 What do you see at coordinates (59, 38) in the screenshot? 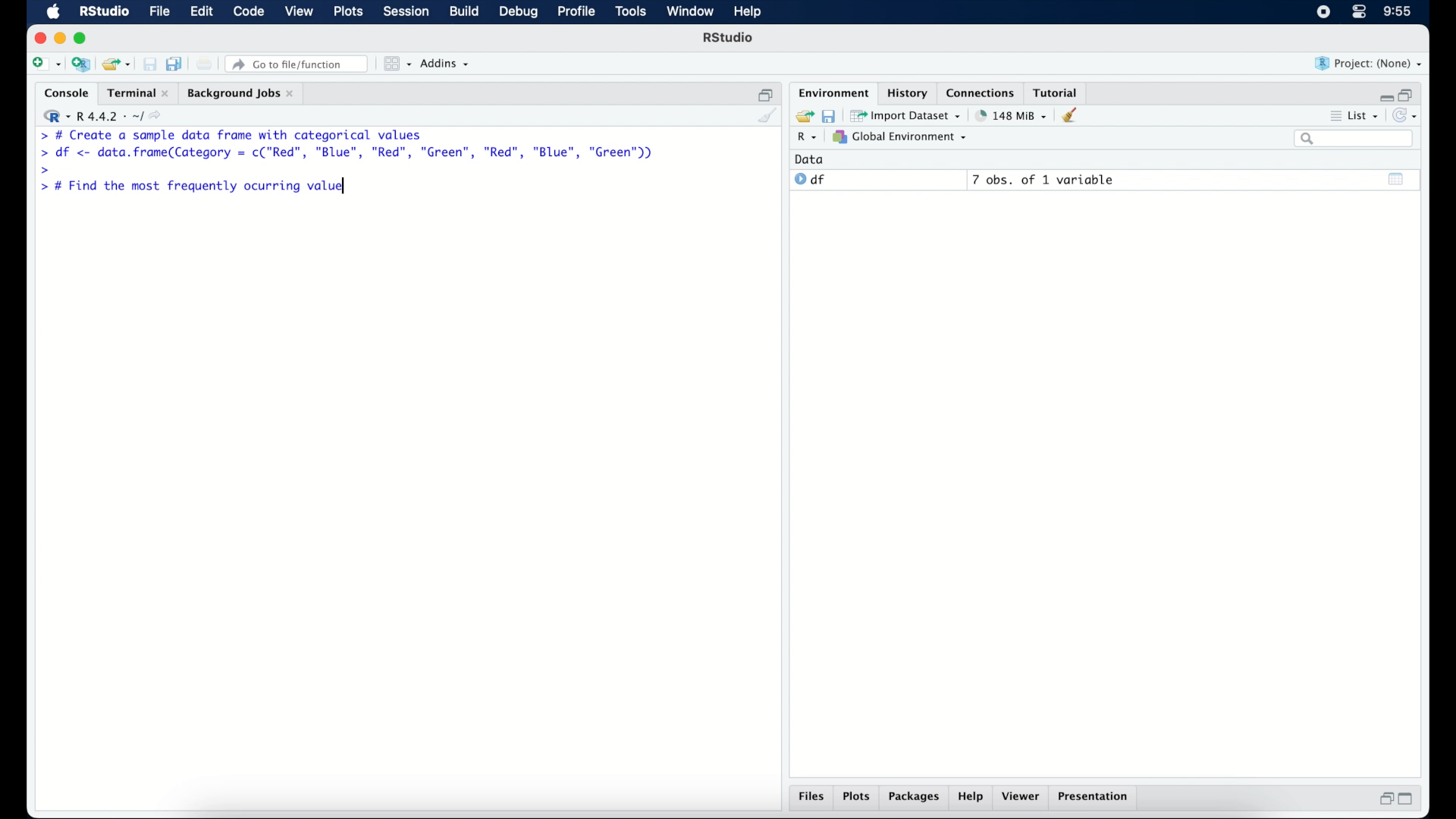
I see `minimzie` at bounding box center [59, 38].